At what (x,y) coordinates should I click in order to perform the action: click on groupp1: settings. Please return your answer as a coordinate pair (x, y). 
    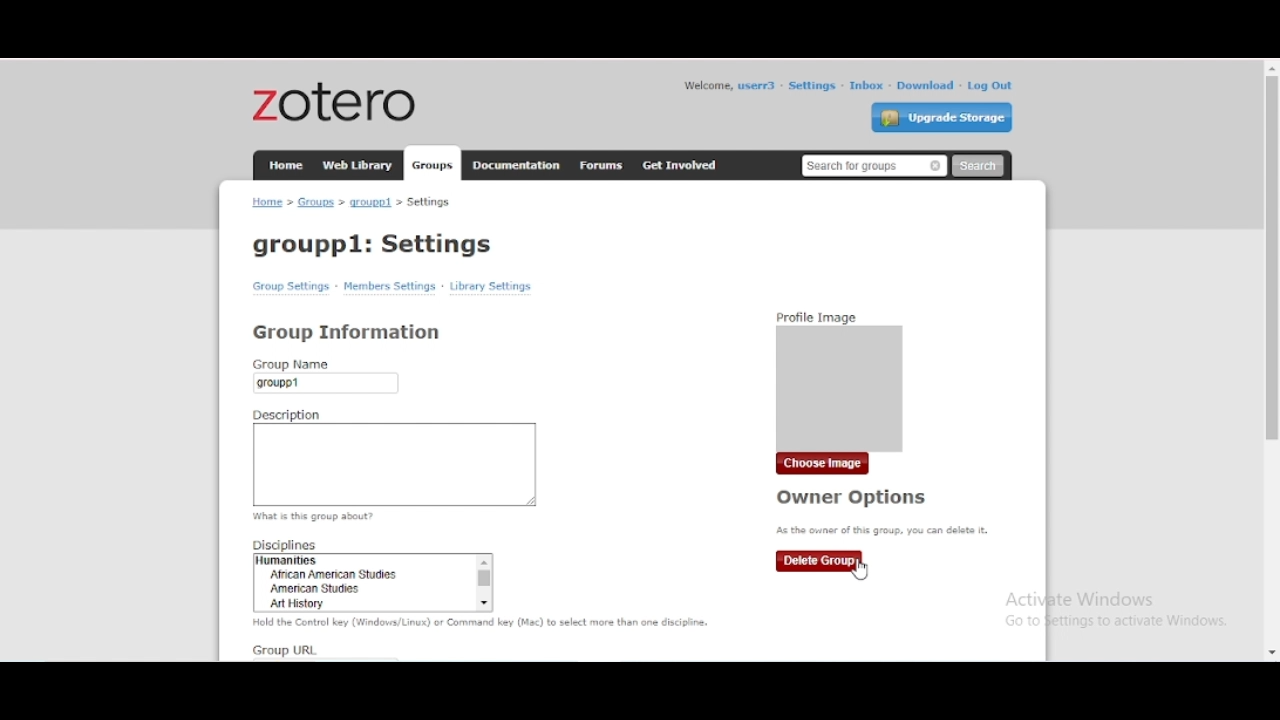
    Looking at the image, I should click on (374, 245).